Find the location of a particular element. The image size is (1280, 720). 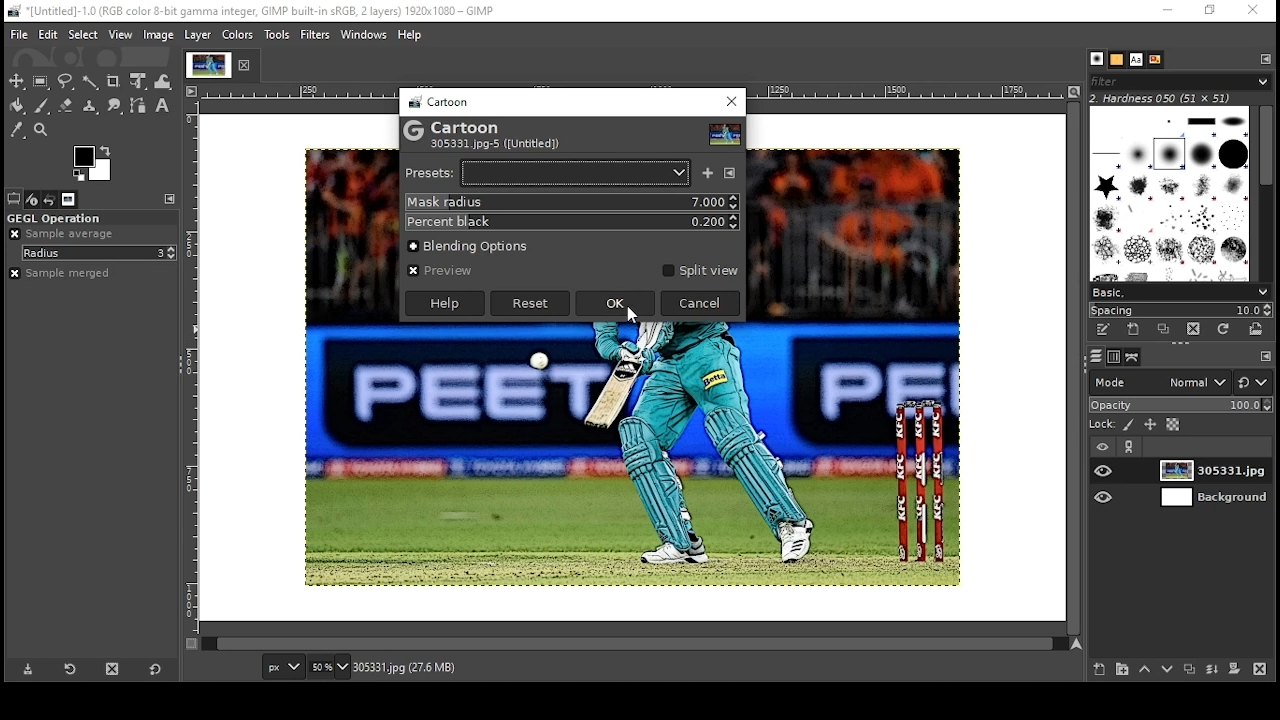

link is located at coordinates (1131, 448).